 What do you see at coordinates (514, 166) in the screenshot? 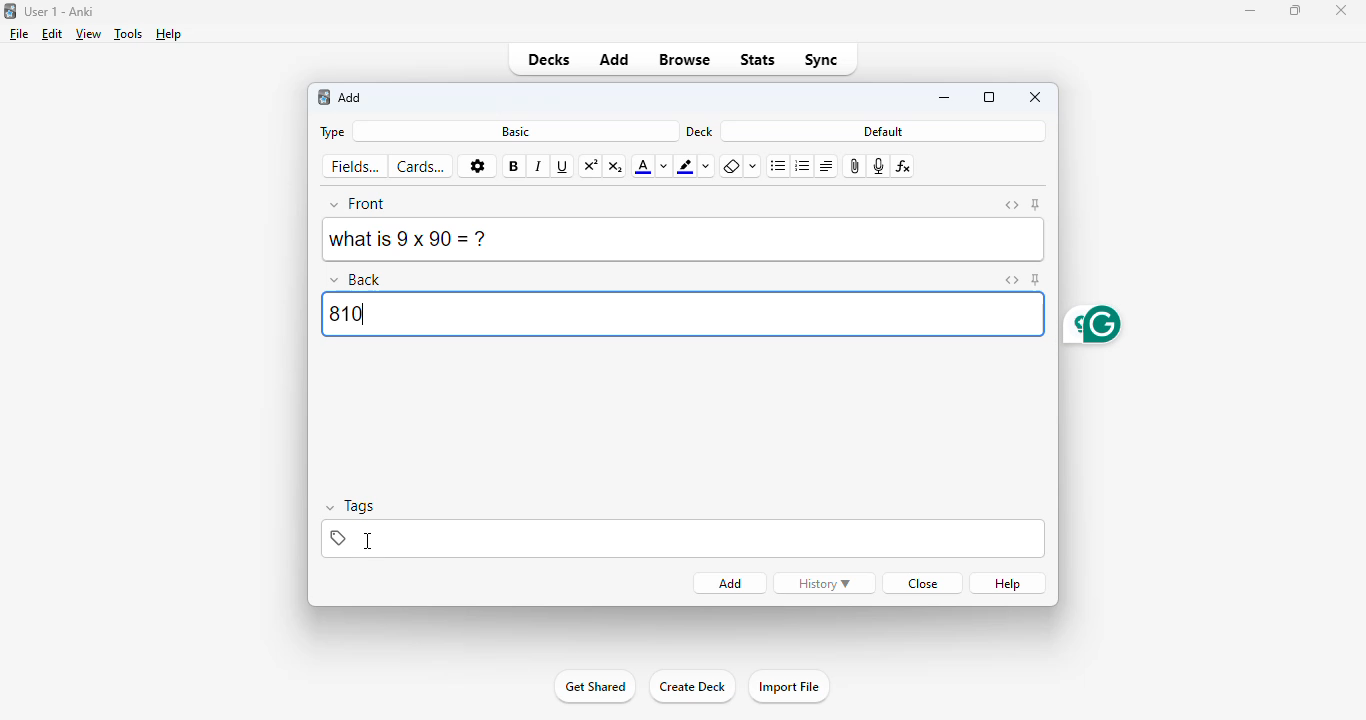
I see `bold` at bounding box center [514, 166].